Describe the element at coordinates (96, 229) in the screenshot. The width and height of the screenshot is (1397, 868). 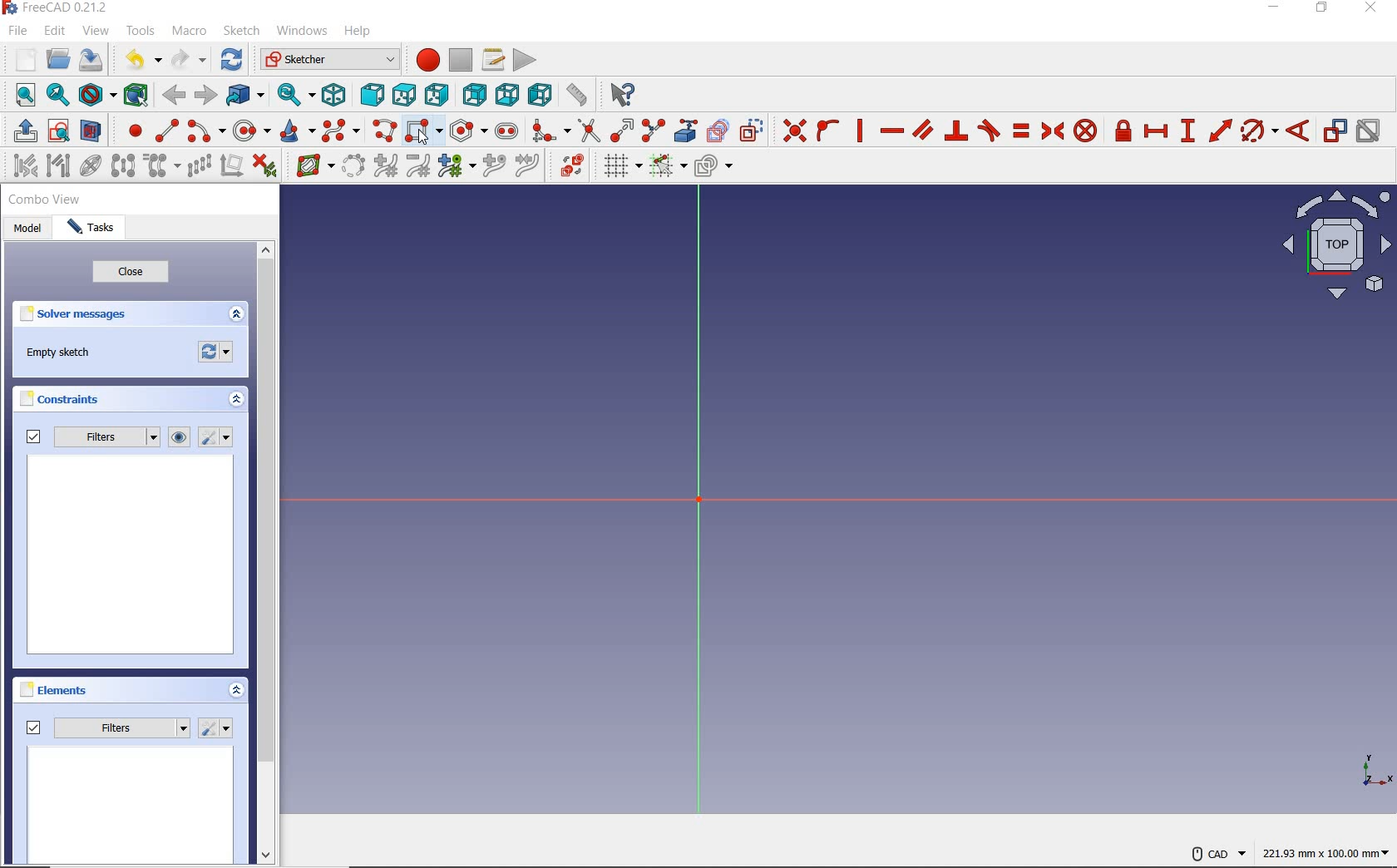
I see `tasks` at that location.